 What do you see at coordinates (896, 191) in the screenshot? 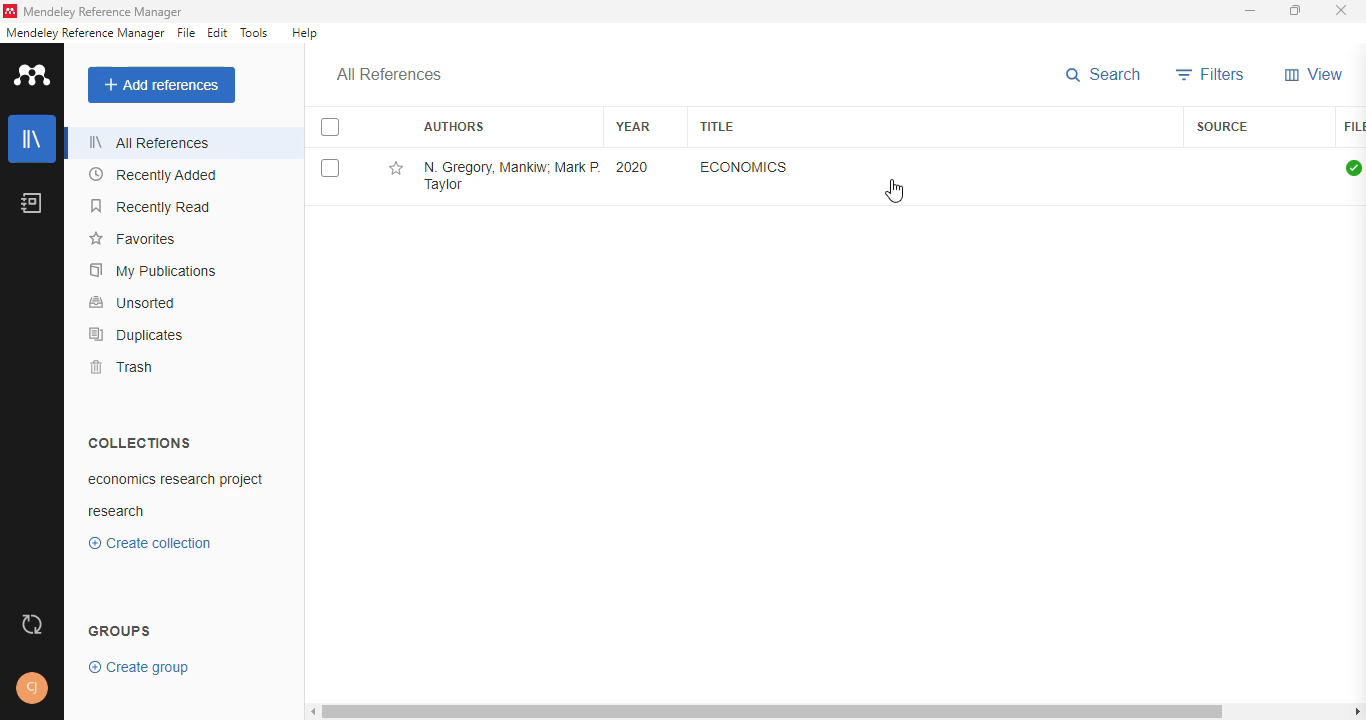
I see `cursor` at bounding box center [896, 191].